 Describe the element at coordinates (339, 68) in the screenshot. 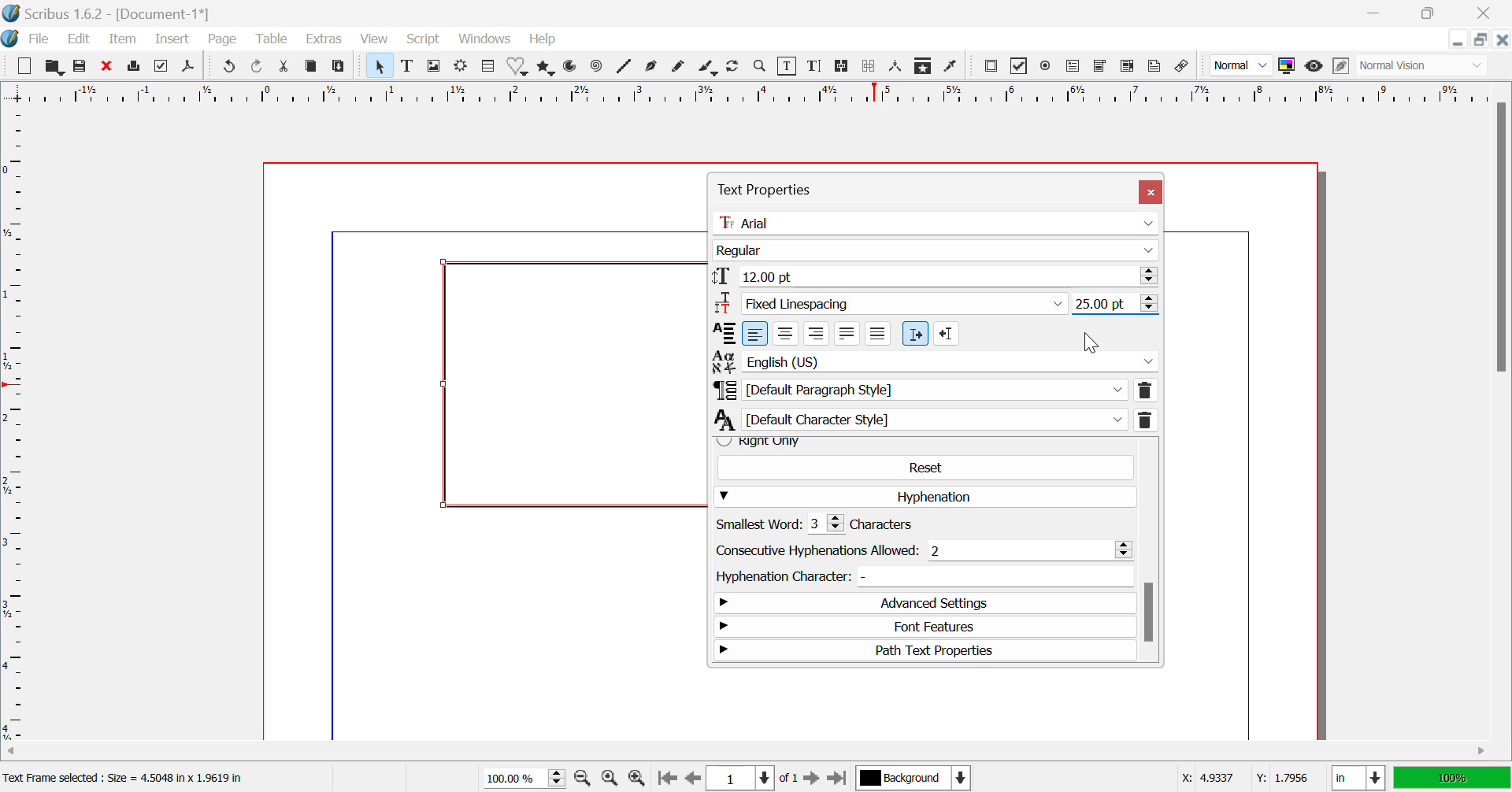

I see `Paste` at that location.